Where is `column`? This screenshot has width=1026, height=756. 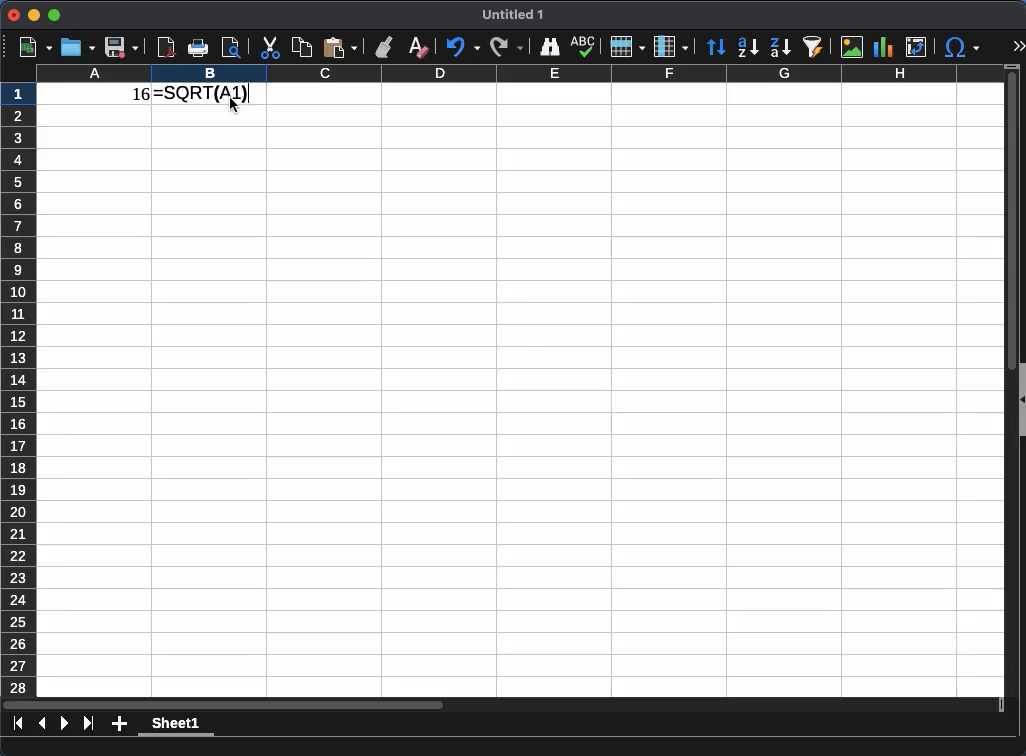 column is located at coordinates (517, 74).